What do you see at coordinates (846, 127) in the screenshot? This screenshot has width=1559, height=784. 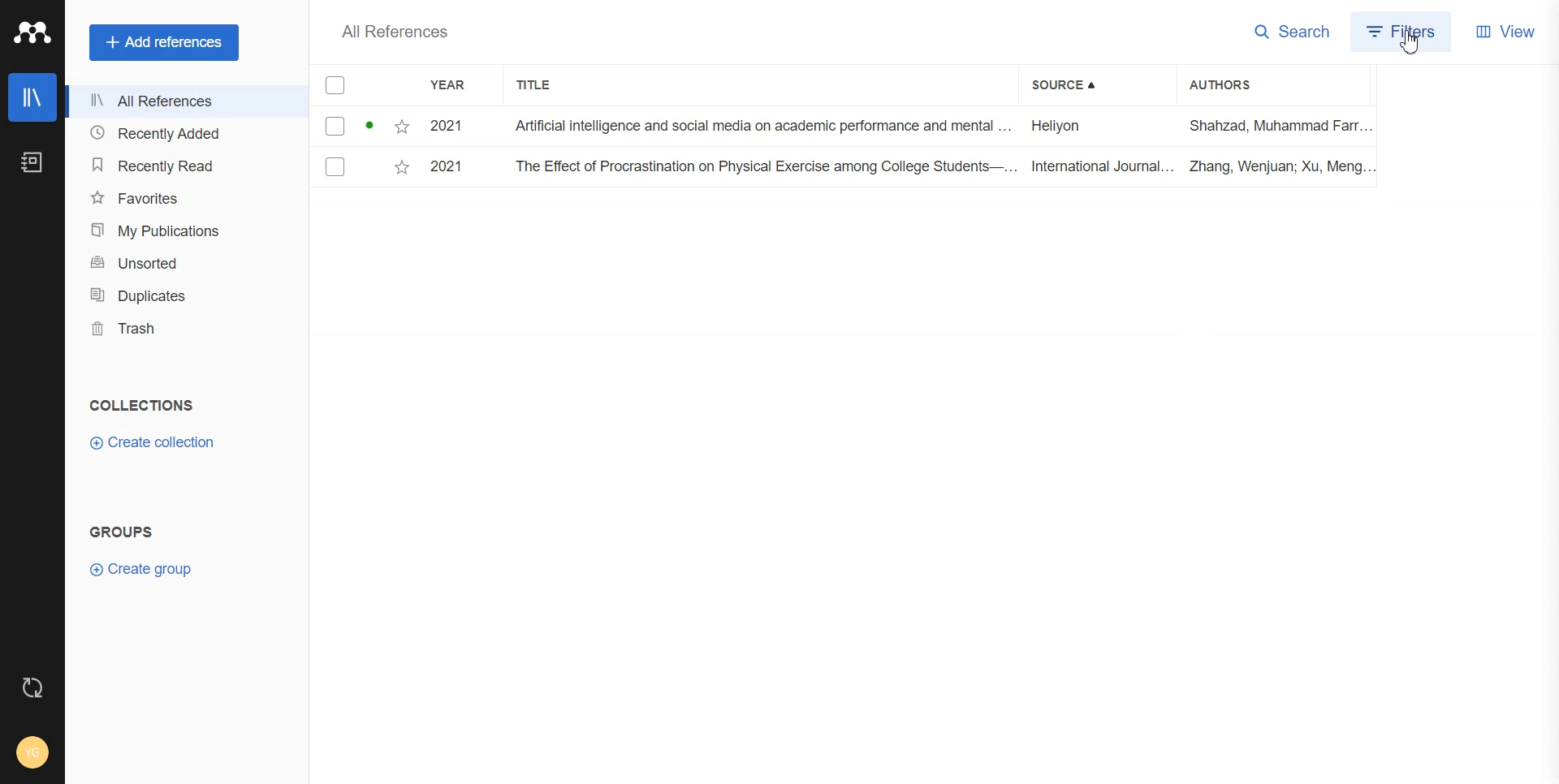 I see `File` at bounding box center [846, 127].